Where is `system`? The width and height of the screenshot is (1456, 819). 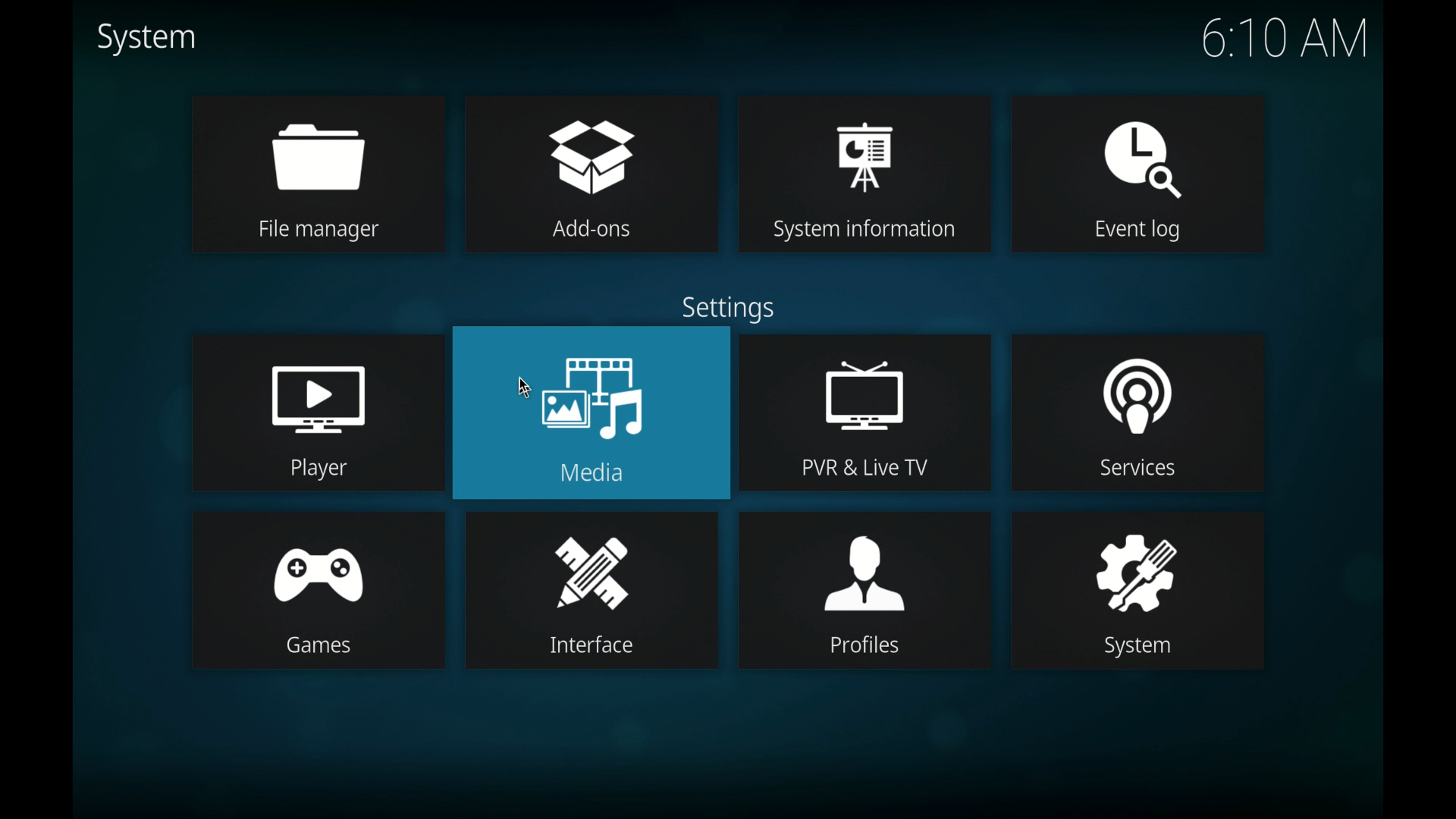 system is located at coordinates (1139, 591).